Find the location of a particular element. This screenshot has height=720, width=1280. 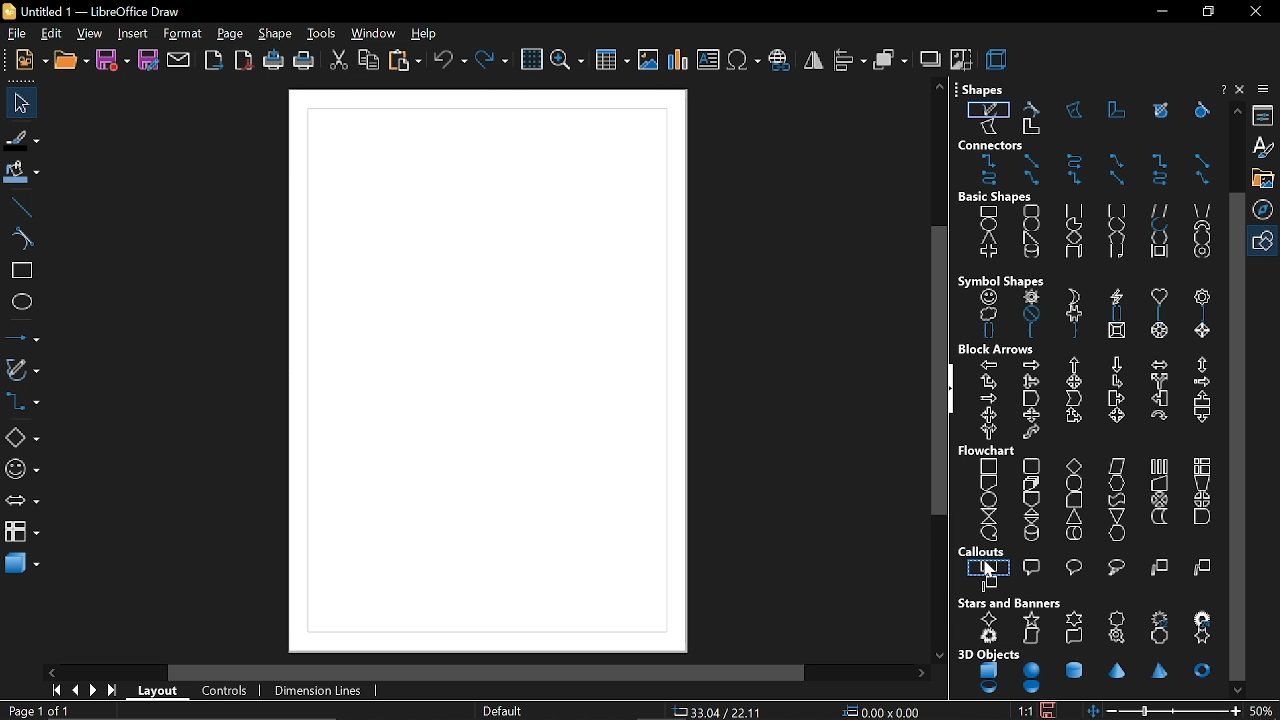

curved connector with arrows is located at coordinates (1161, 180).